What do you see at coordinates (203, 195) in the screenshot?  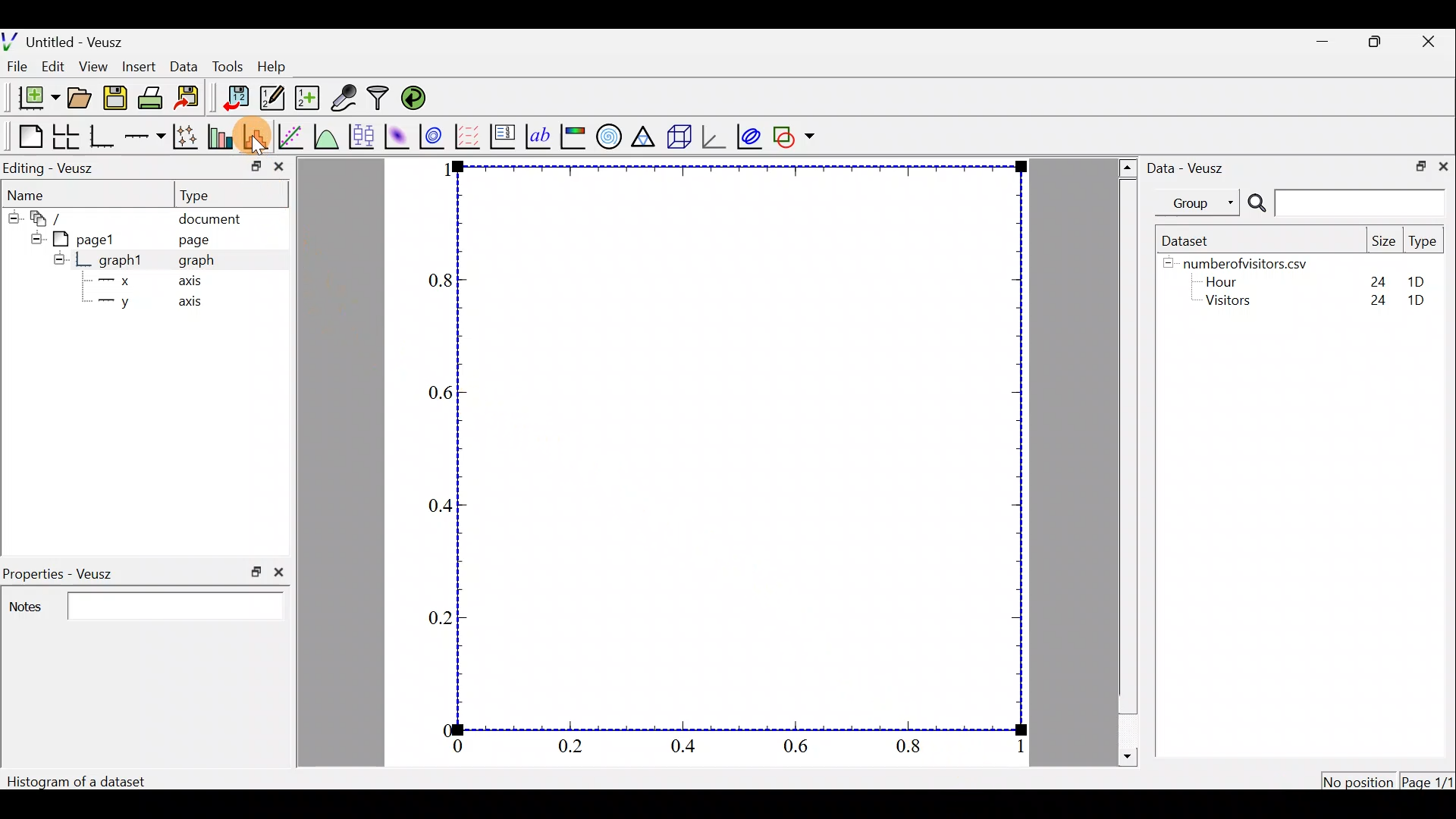 I see `Type` at bounding box center [203, 195].